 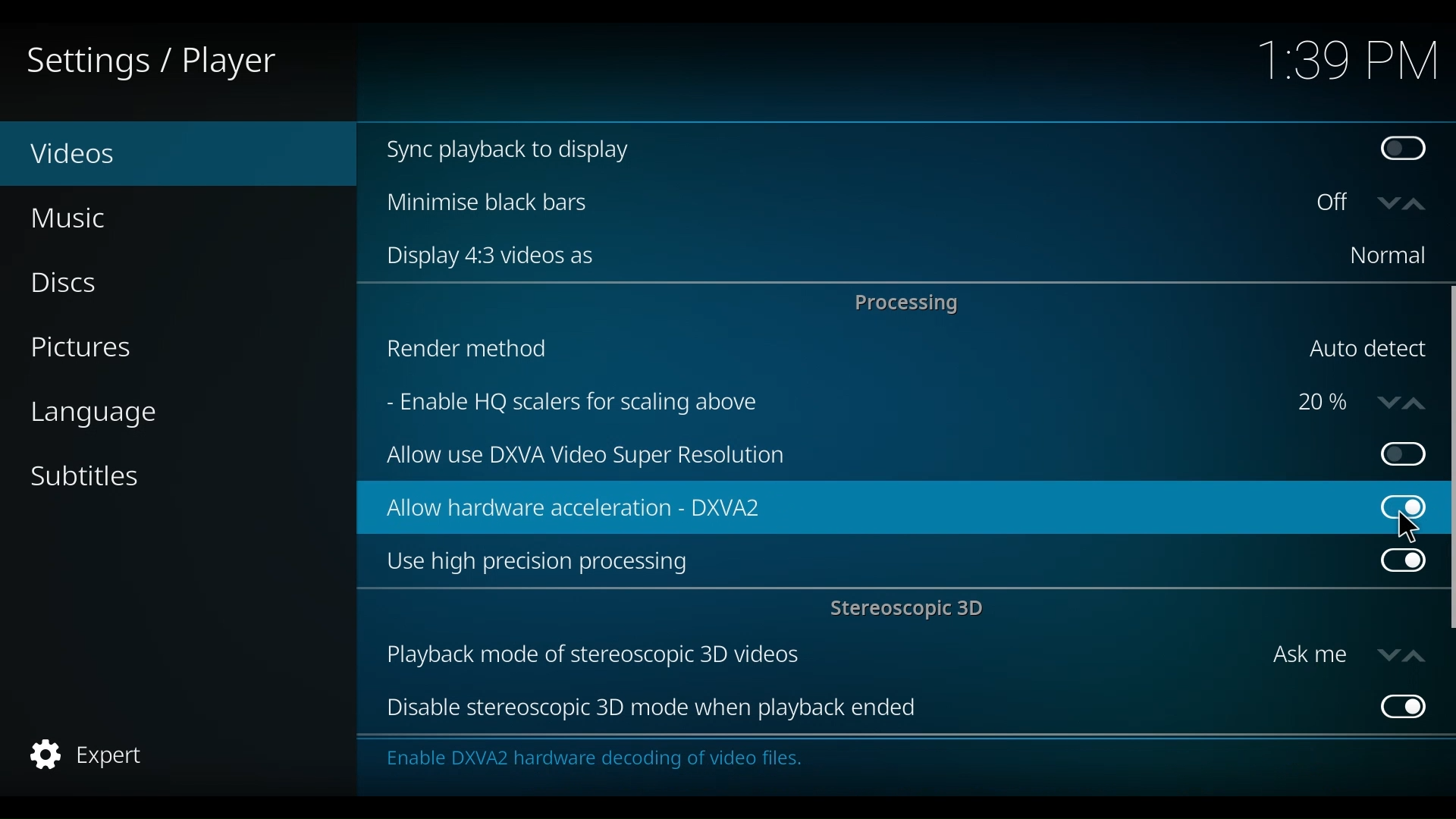 I want to click on Enable HQ scalers for scaling above, so click(x=826, y=404).